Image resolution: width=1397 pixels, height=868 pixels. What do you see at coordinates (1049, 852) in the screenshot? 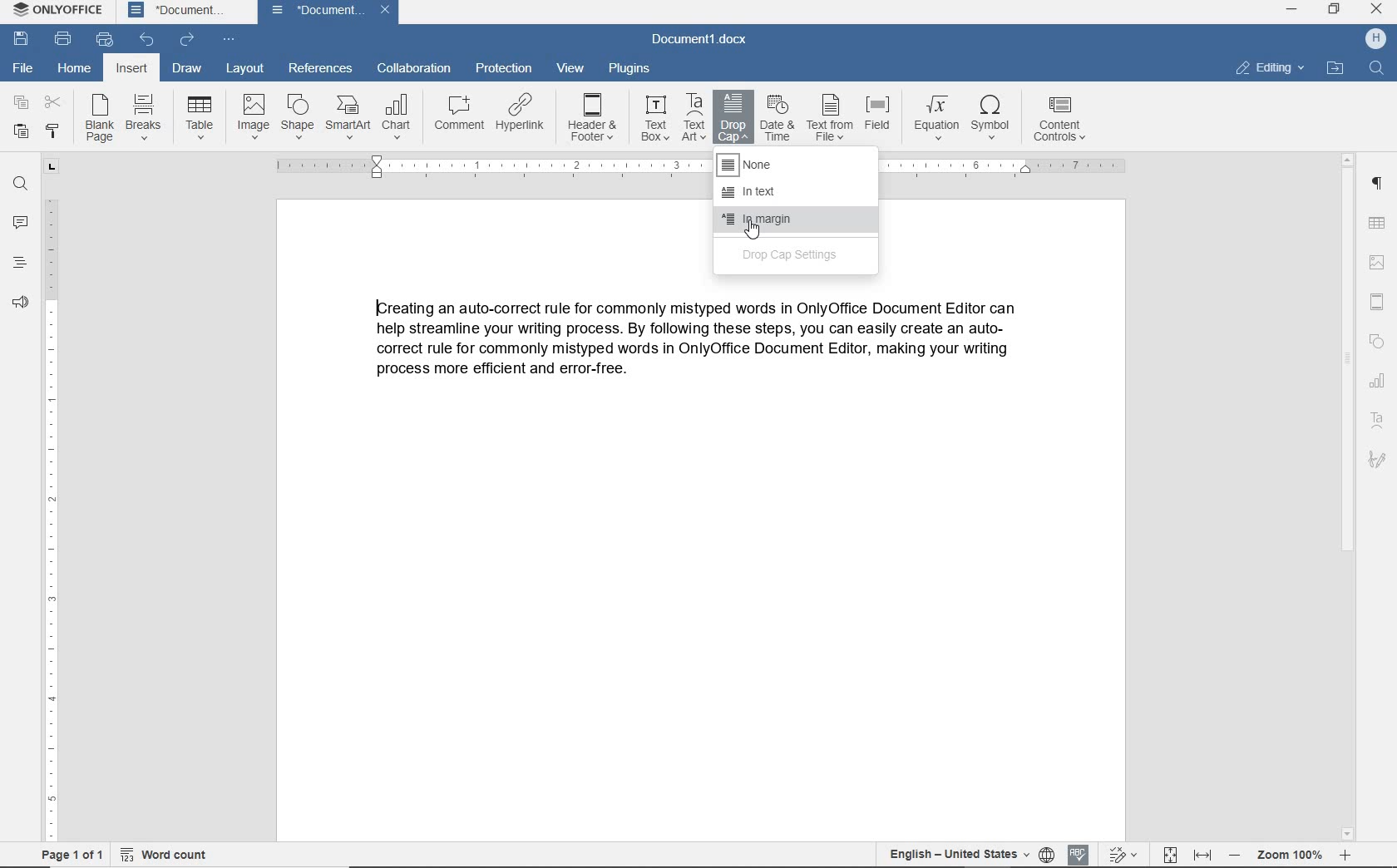
I see `Set document language` at bounding box center [1049, 852].